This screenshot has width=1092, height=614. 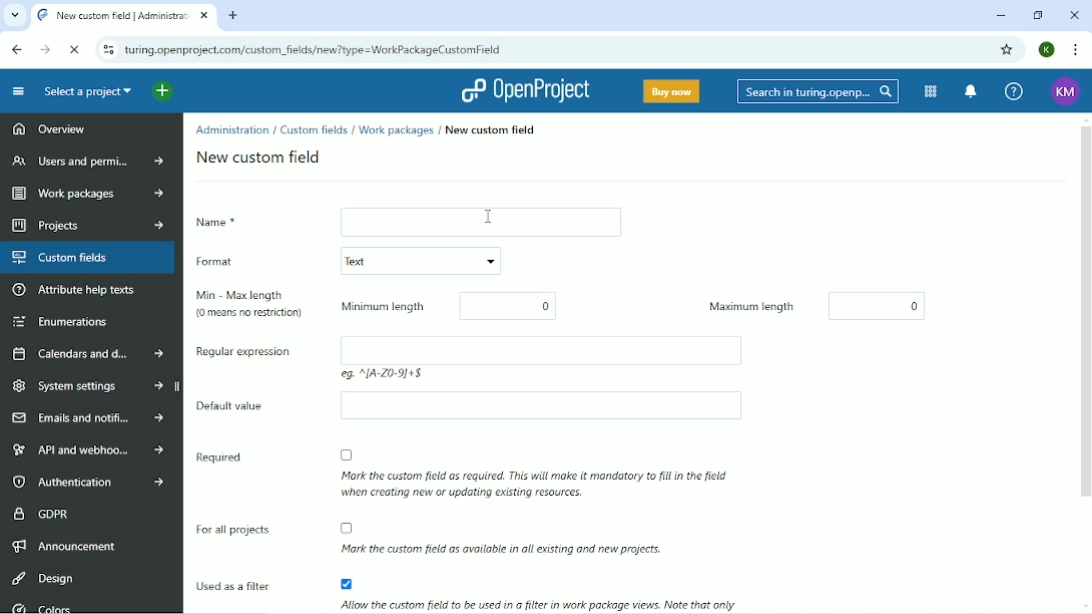 What do you see at coordinates (76, 49) in the screenshot?
I see `Reload this page` at bounding box center [76, 49].